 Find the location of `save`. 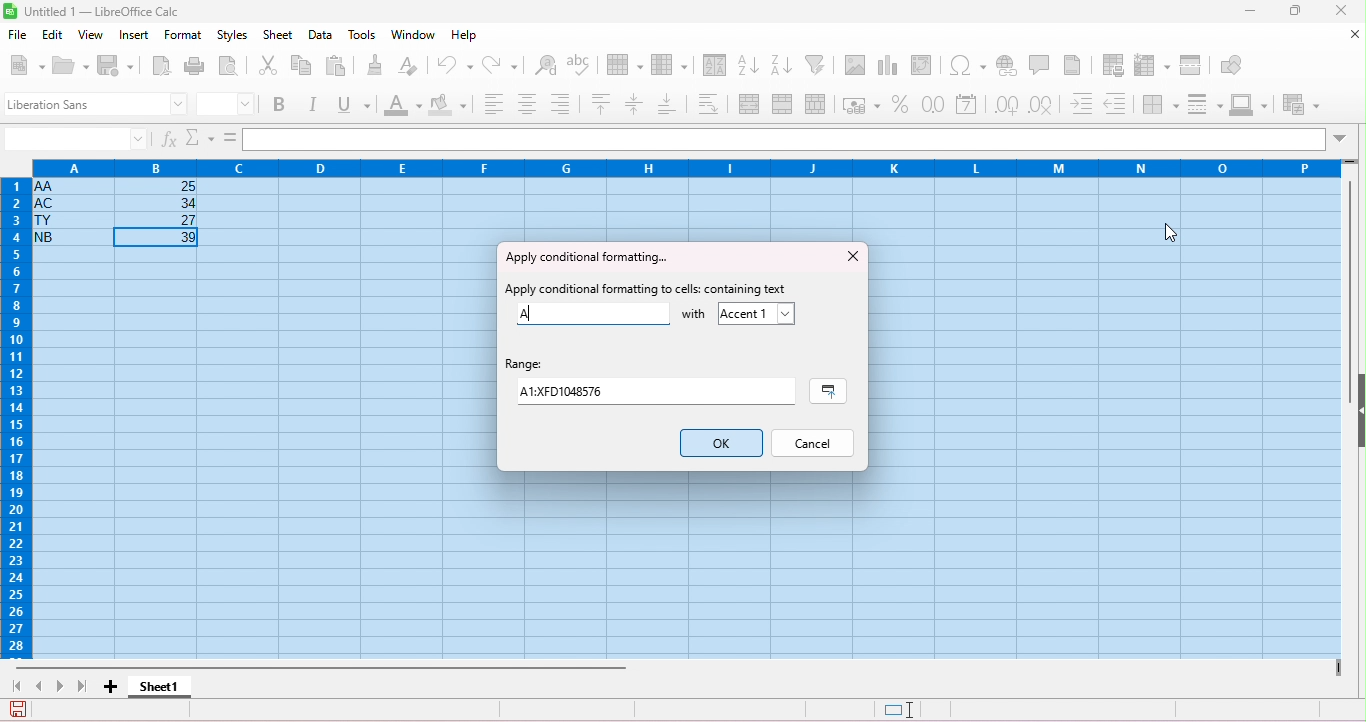

save is located at coordinates (116, 64).